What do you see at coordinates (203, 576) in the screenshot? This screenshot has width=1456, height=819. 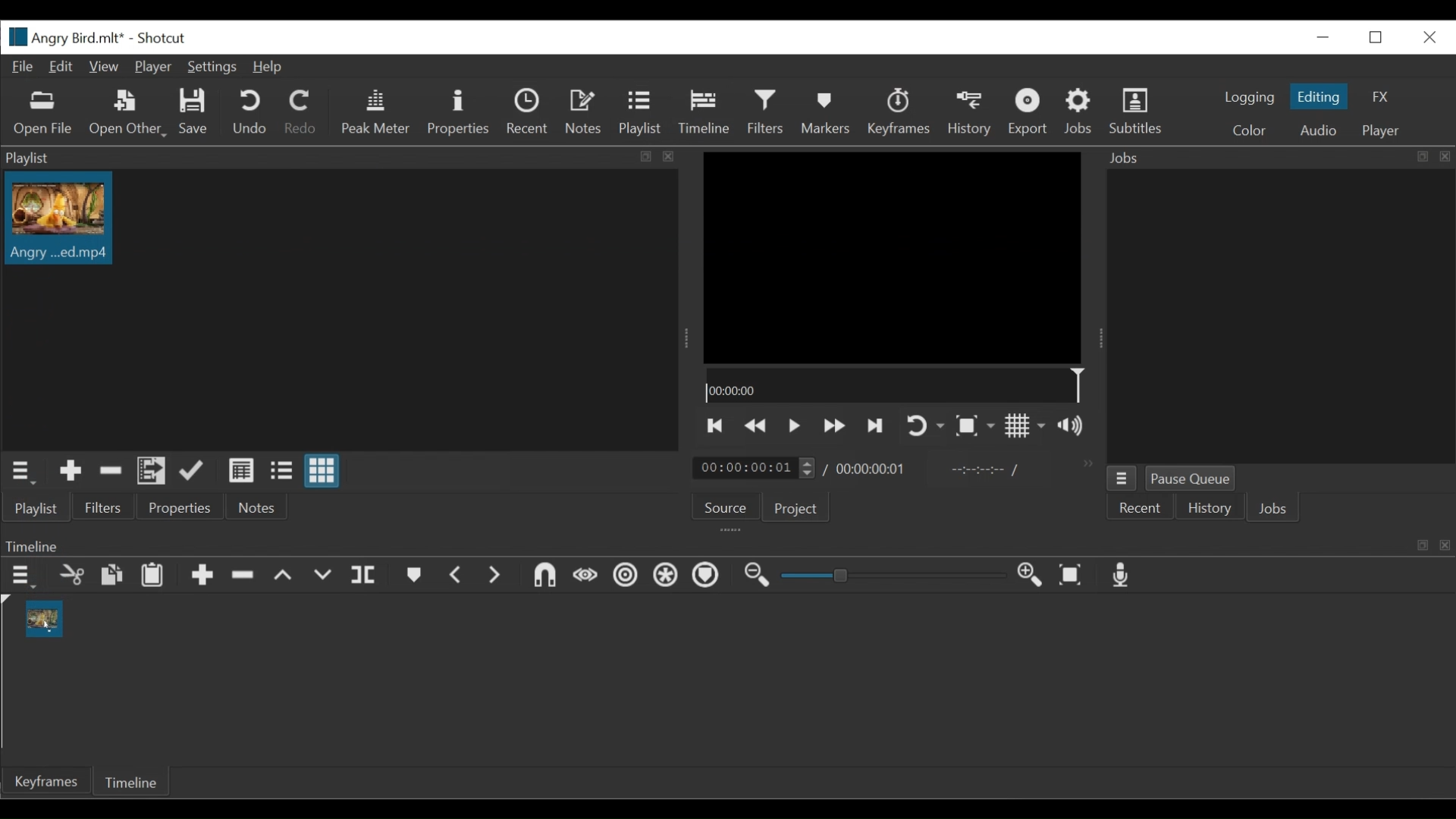 I see `Append` at bounding box center [203, 576].